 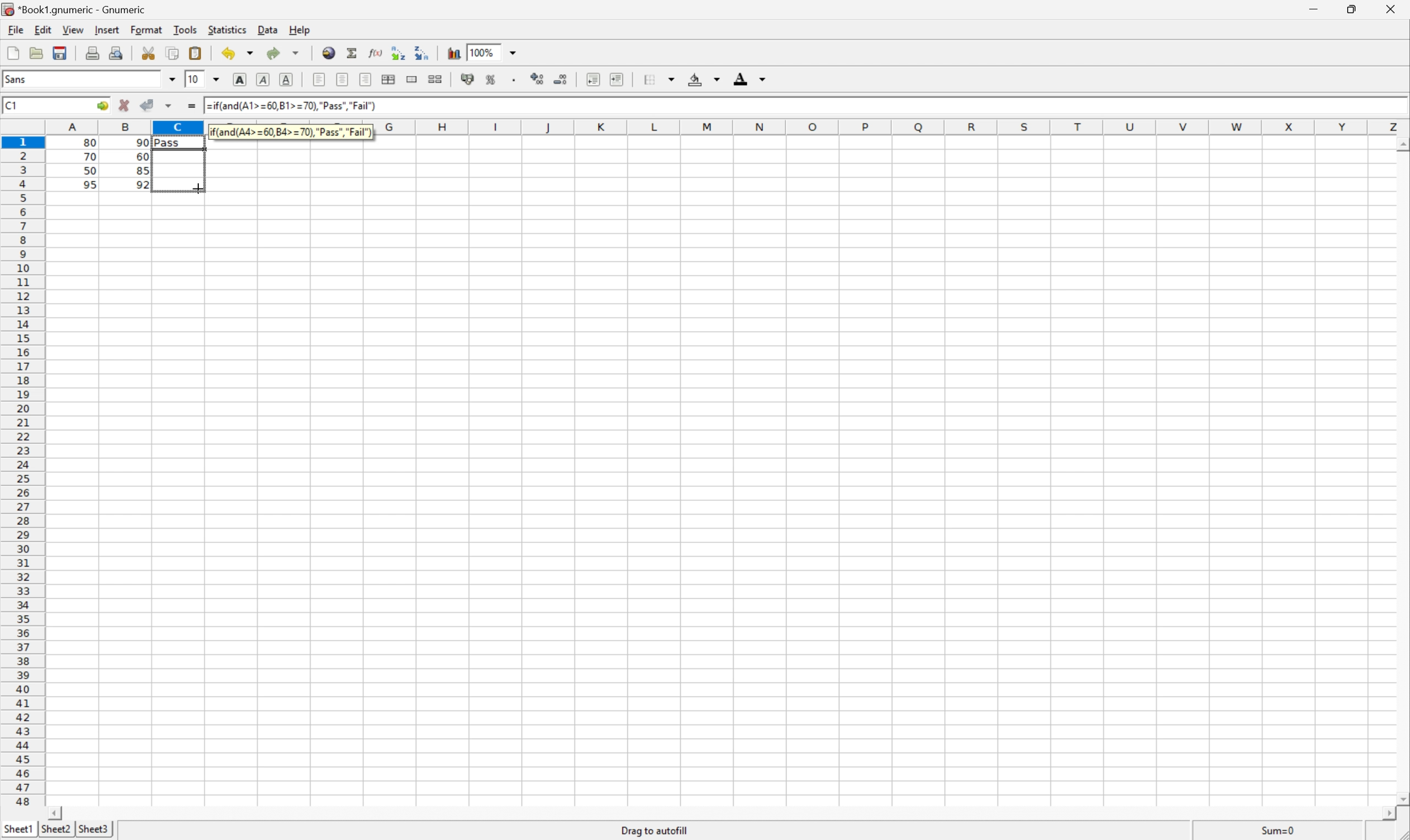 I want to click on Increase the number of decimals displayed, so click(x=539, y=79).